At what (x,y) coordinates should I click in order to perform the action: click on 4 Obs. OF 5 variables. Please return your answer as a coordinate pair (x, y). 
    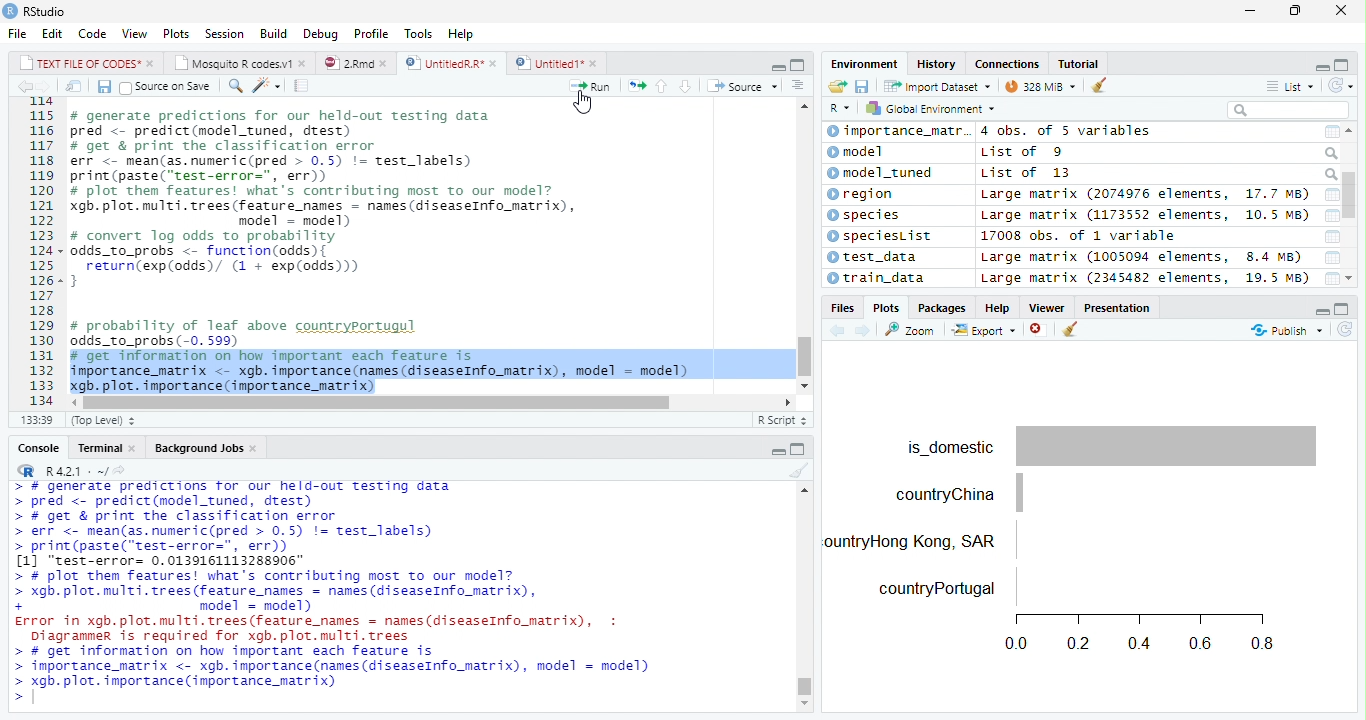
    Looking at the image, I should click on (1064, 132).